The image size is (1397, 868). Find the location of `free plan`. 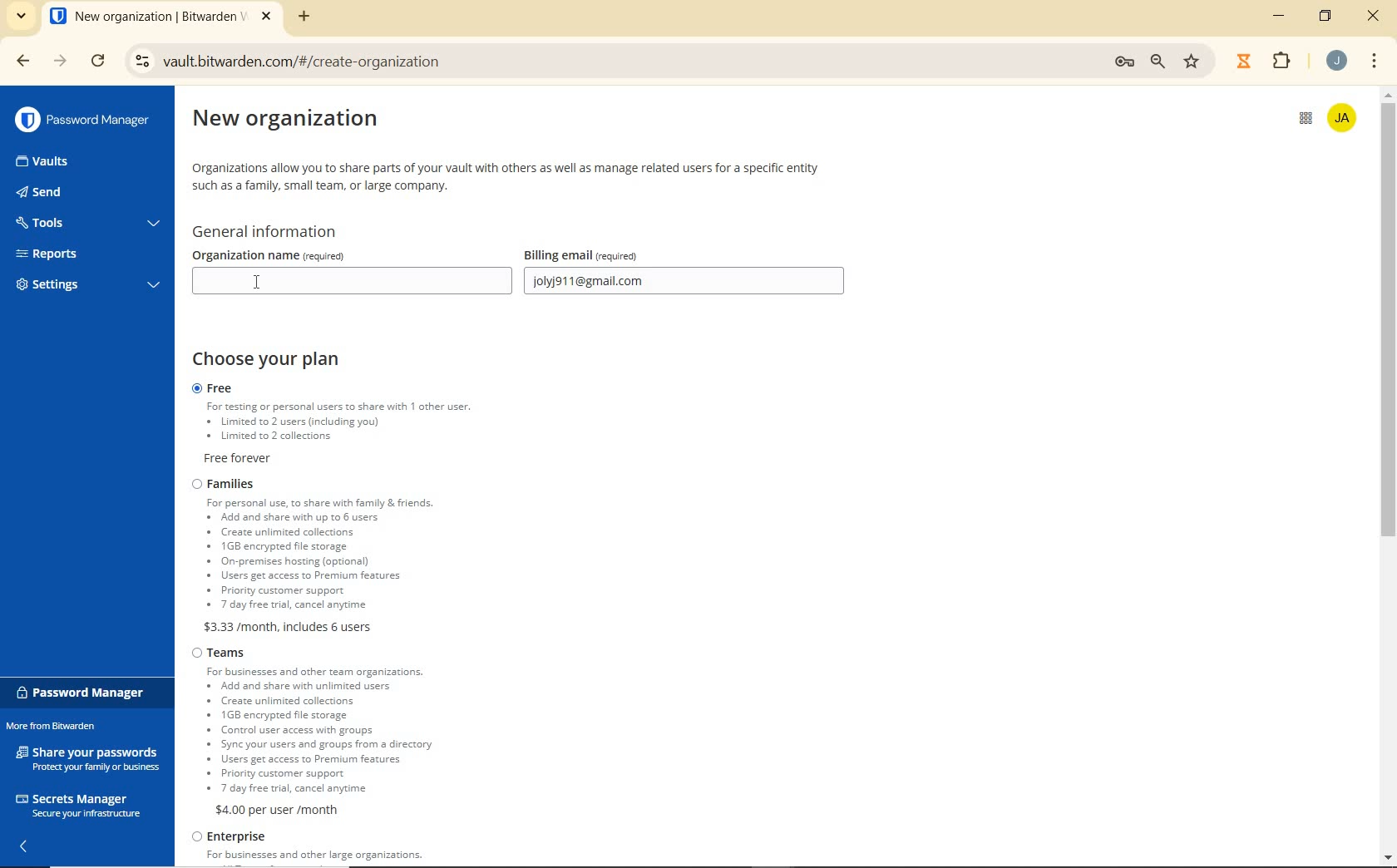

free plan is located at coordinates (359, 425).